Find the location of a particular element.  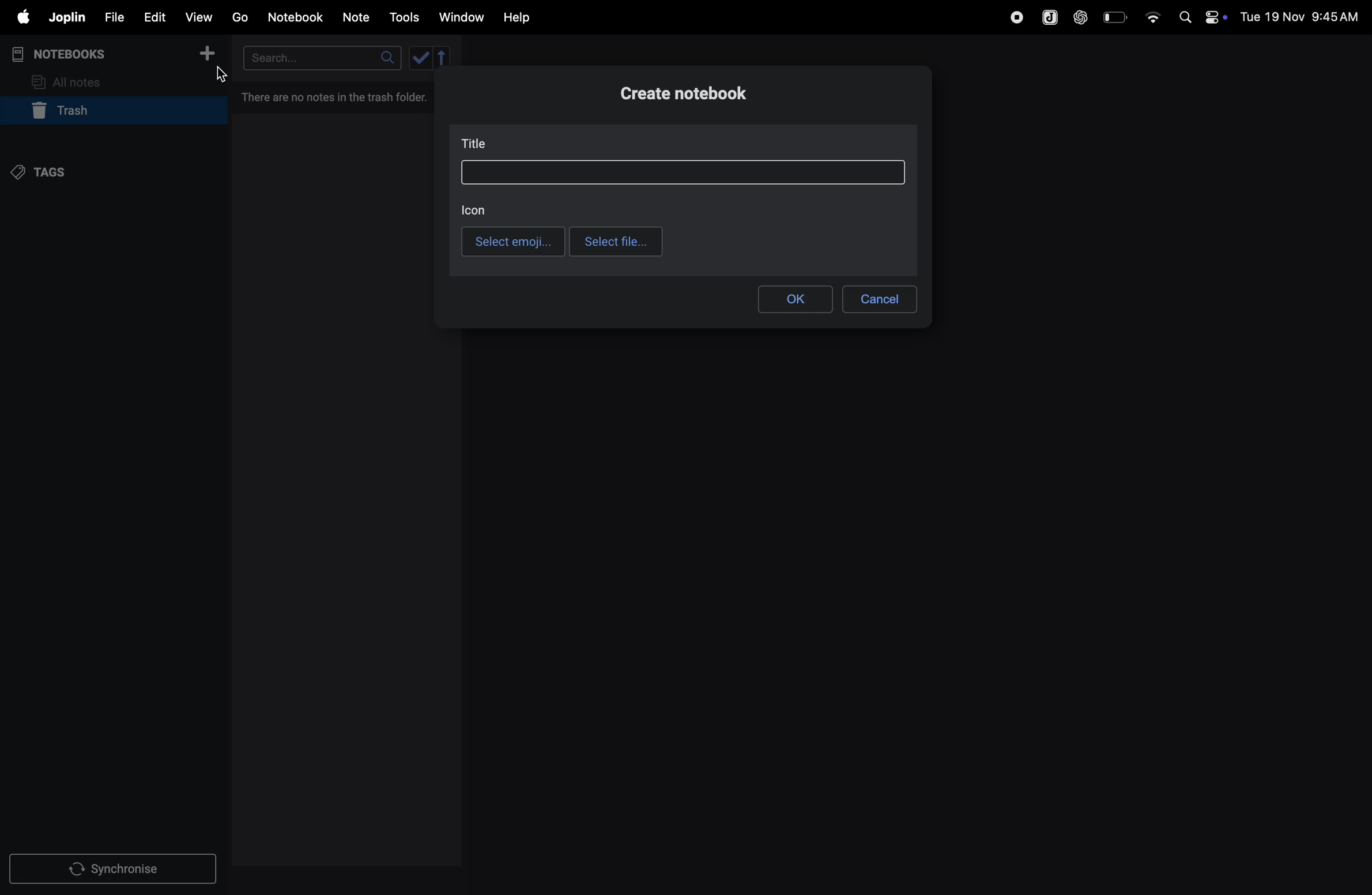

there is no trash is located at coordinates (336, 95).